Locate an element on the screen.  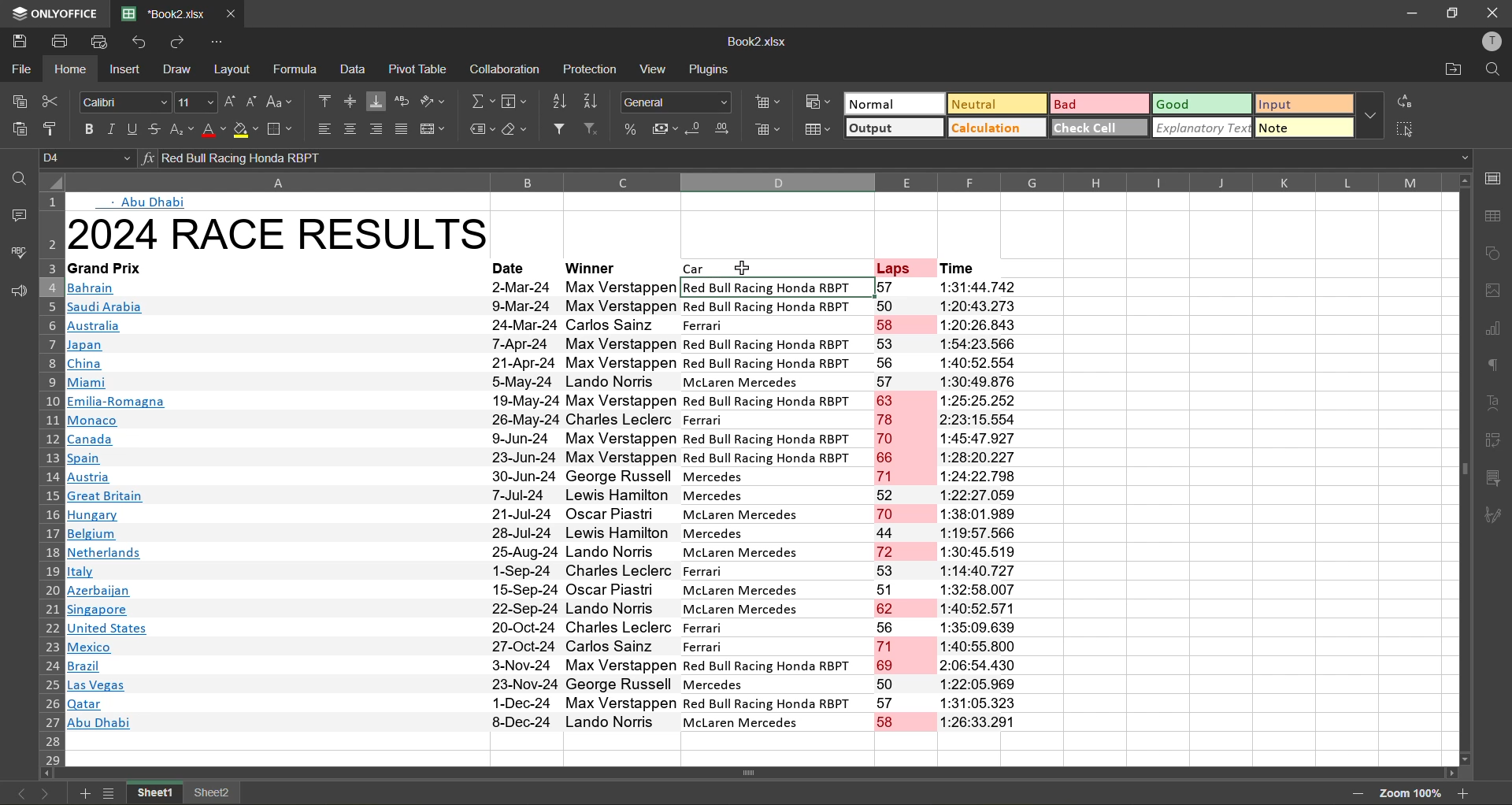
filter is located at coordinates (559, 129).